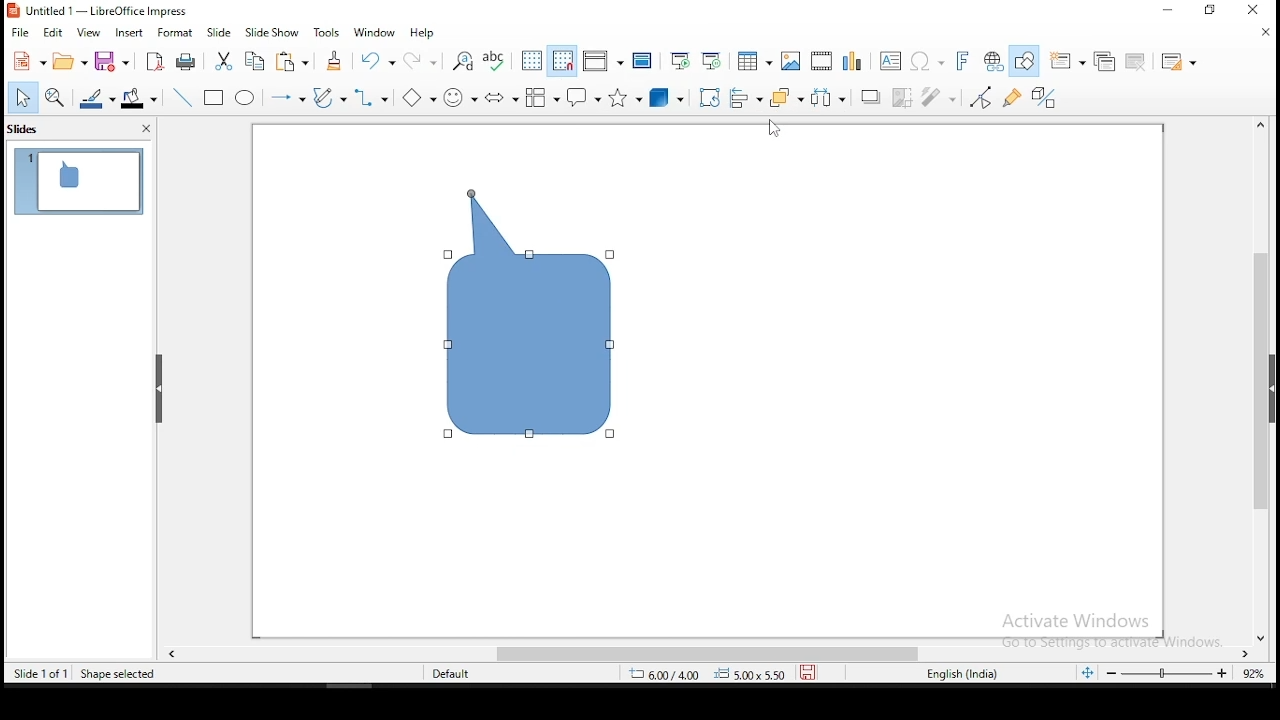 This screenshot has height=720, width=1280. Describe the element at coordinates (531, 316) in the screenshot. I see `shape` at that location.